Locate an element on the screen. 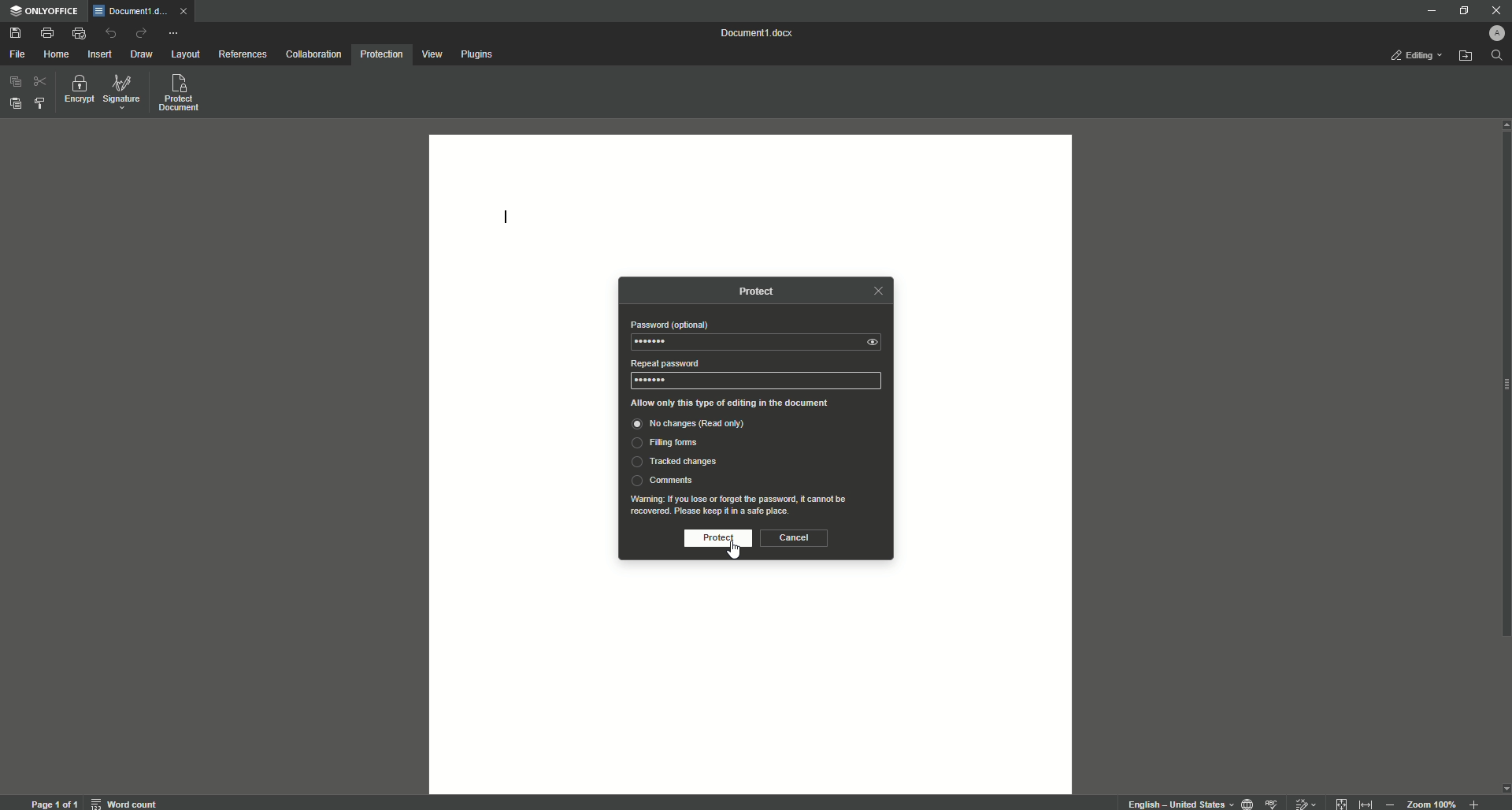 The height and width of the screenshot is (810, 1512). Home is located at coordinates (57, 53).